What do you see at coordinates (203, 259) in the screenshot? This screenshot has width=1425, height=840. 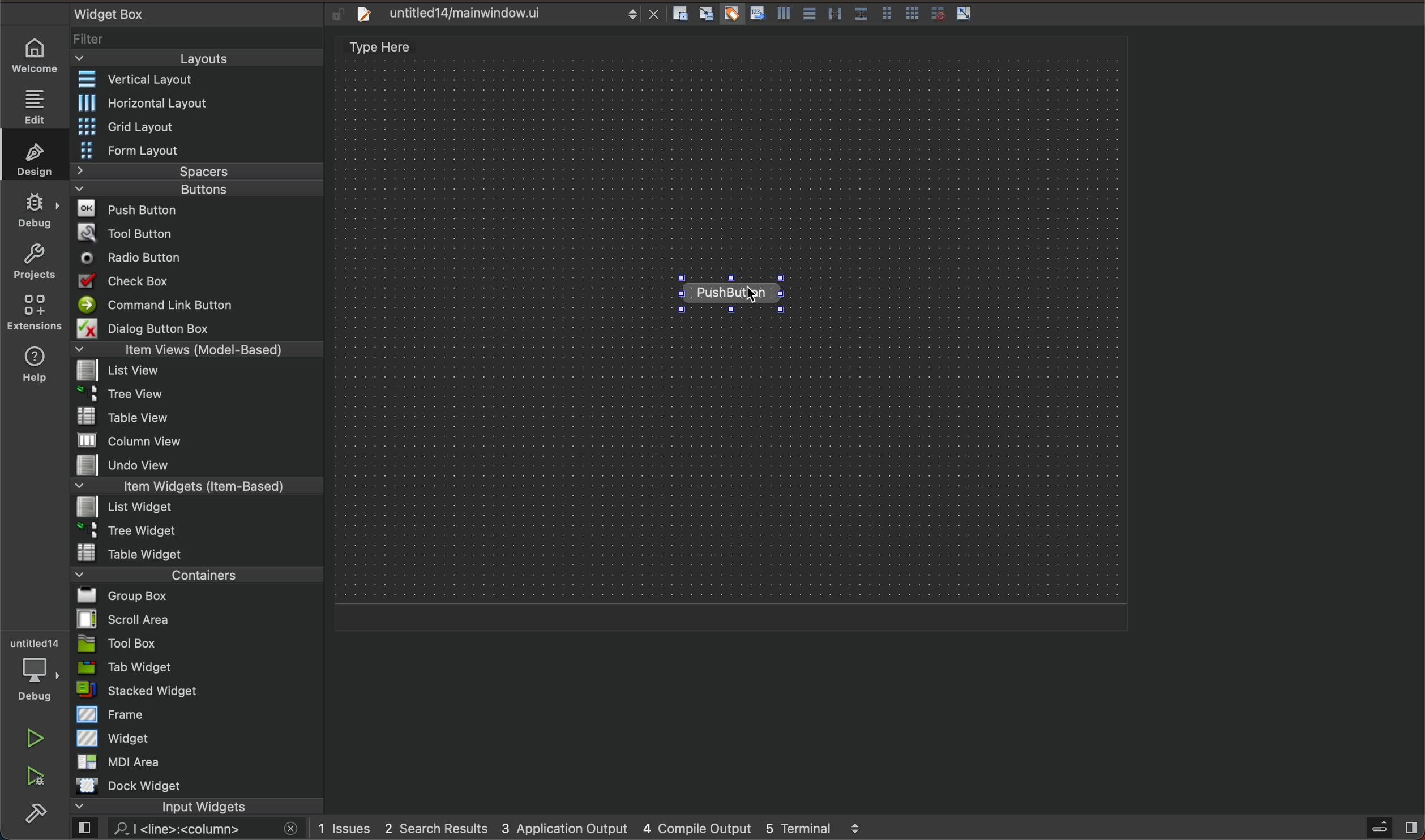 I see `radio button` at bounding box center [203, 259].